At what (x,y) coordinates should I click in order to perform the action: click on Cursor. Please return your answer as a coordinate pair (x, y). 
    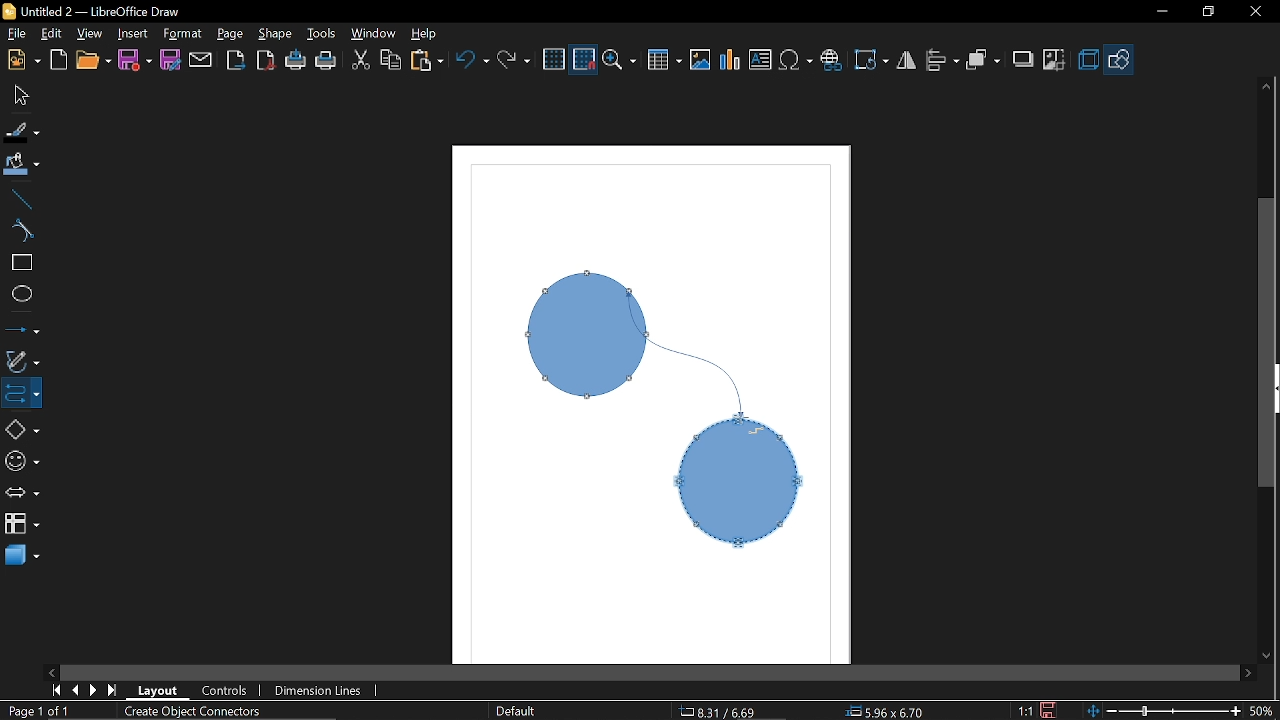
    Looking at the image, I should click on (749, 429).